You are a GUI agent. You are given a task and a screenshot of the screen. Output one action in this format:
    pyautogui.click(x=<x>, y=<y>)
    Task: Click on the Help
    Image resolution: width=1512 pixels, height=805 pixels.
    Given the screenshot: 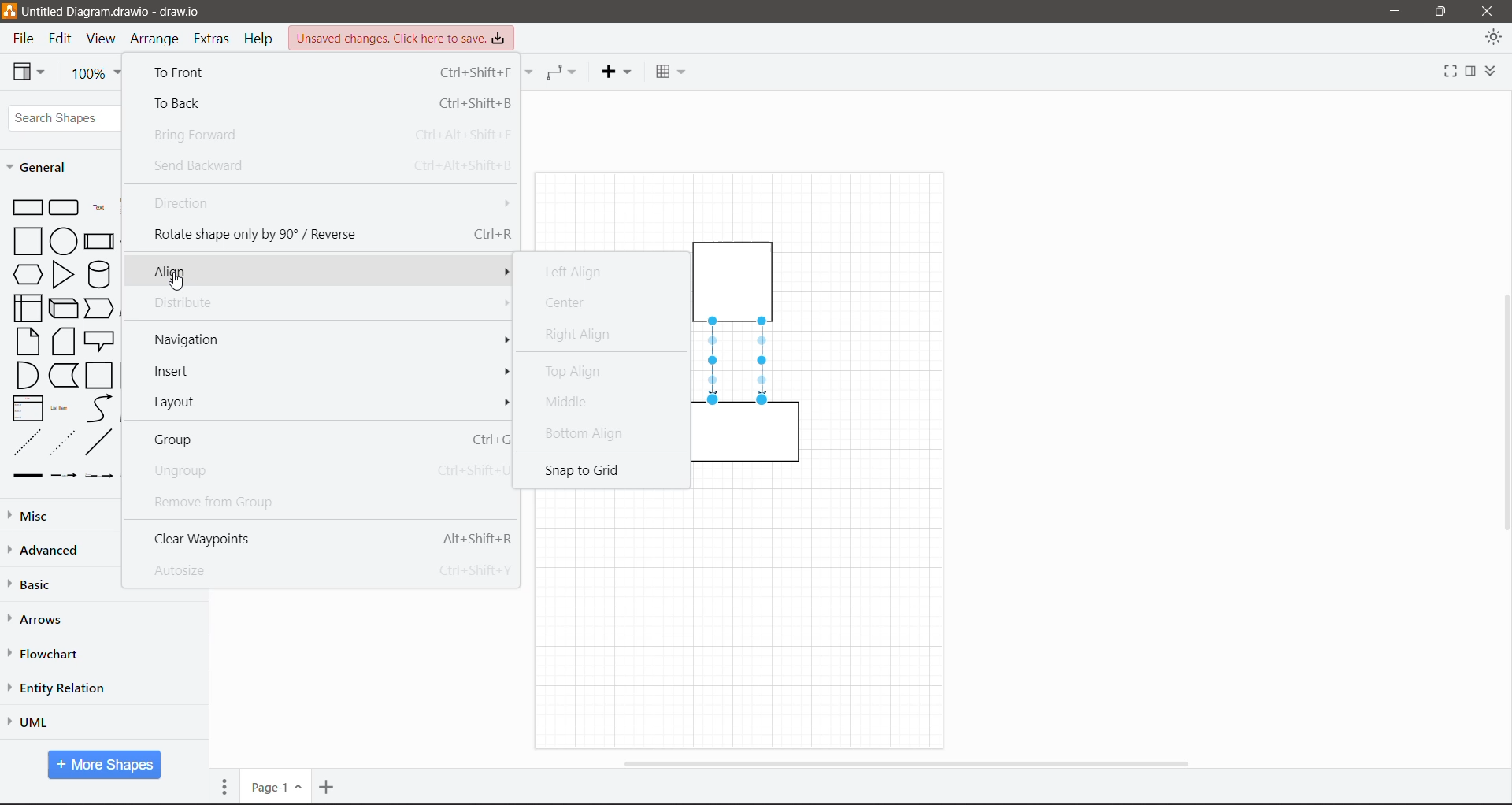 What is the action you would take?
    pyautogui.click(x=261, y=39)
    